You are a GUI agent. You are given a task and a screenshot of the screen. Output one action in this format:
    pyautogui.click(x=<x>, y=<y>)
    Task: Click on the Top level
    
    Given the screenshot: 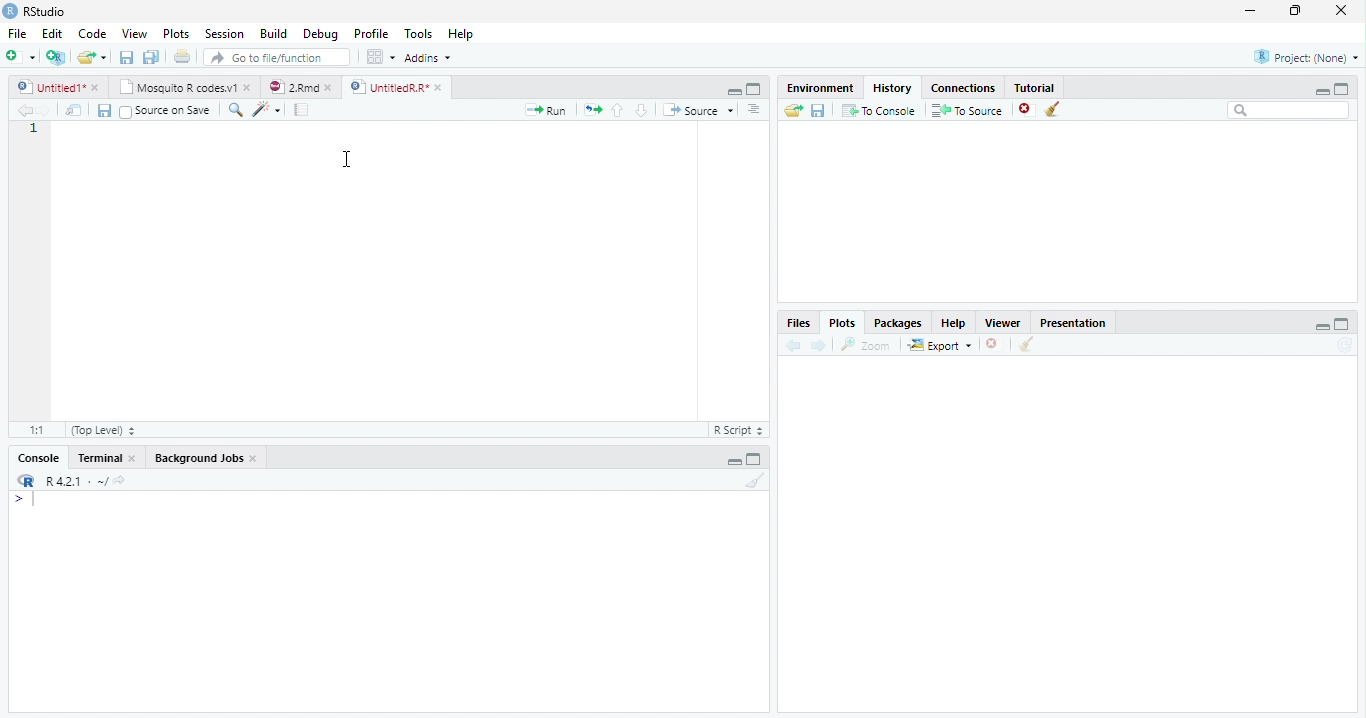 What is the action you would take?
    pyautogui.click(x=102, y=430)
    